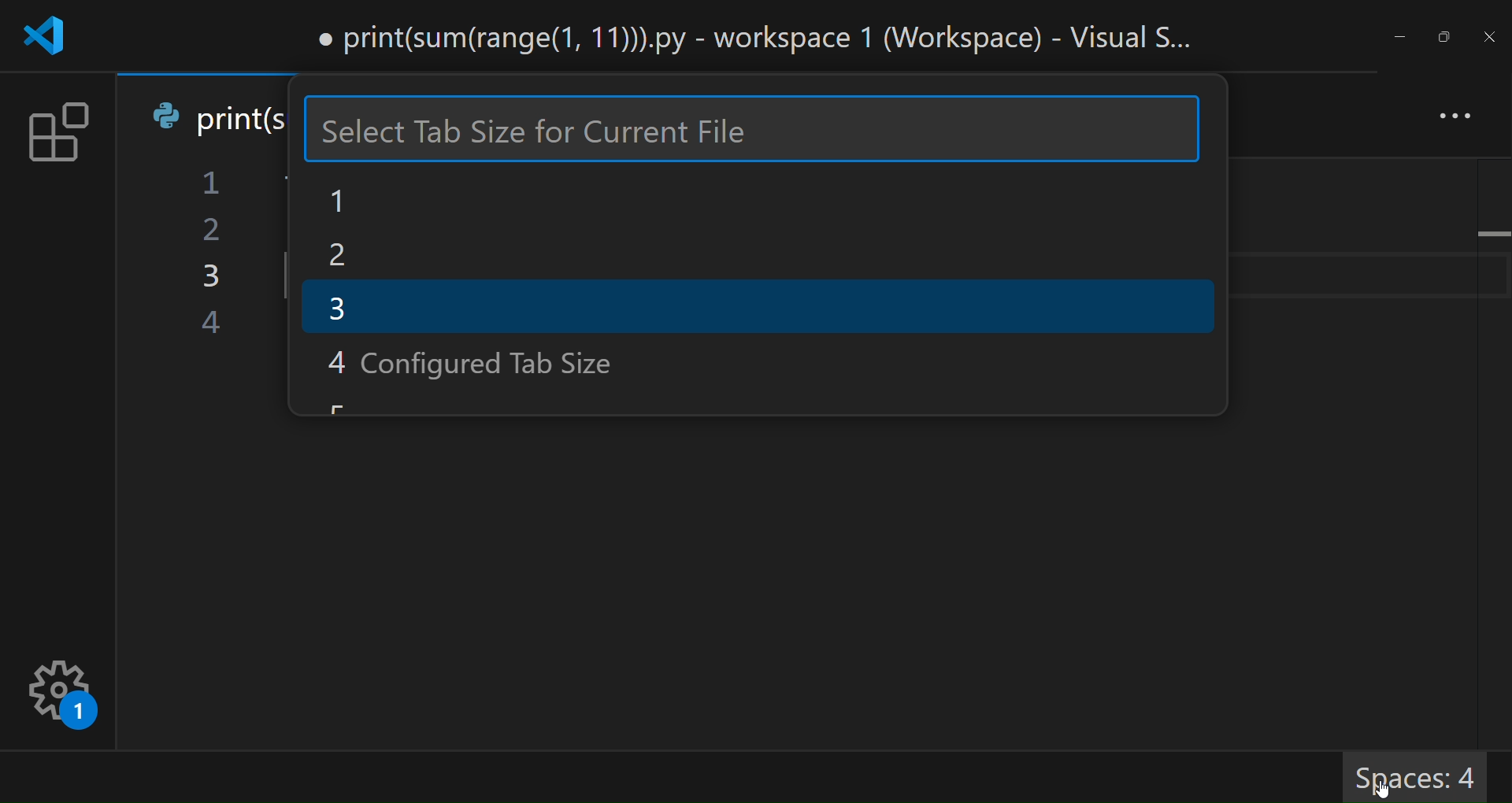 This screenshot has height=803, width=1512. I want to click on minimize, so click(1398, 37).